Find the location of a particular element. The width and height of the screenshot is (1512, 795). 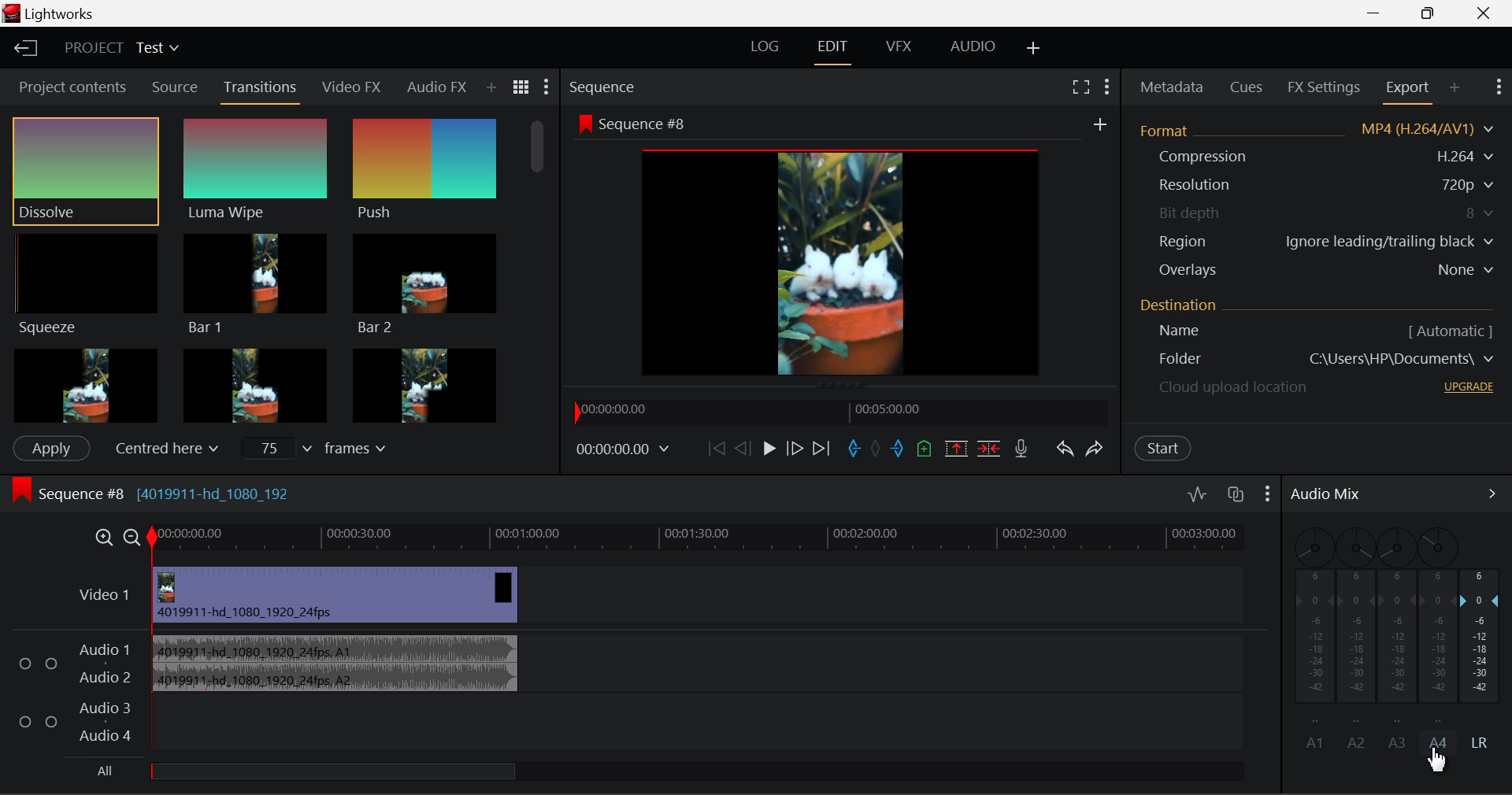

Region is located at coordinates (1314, 242).